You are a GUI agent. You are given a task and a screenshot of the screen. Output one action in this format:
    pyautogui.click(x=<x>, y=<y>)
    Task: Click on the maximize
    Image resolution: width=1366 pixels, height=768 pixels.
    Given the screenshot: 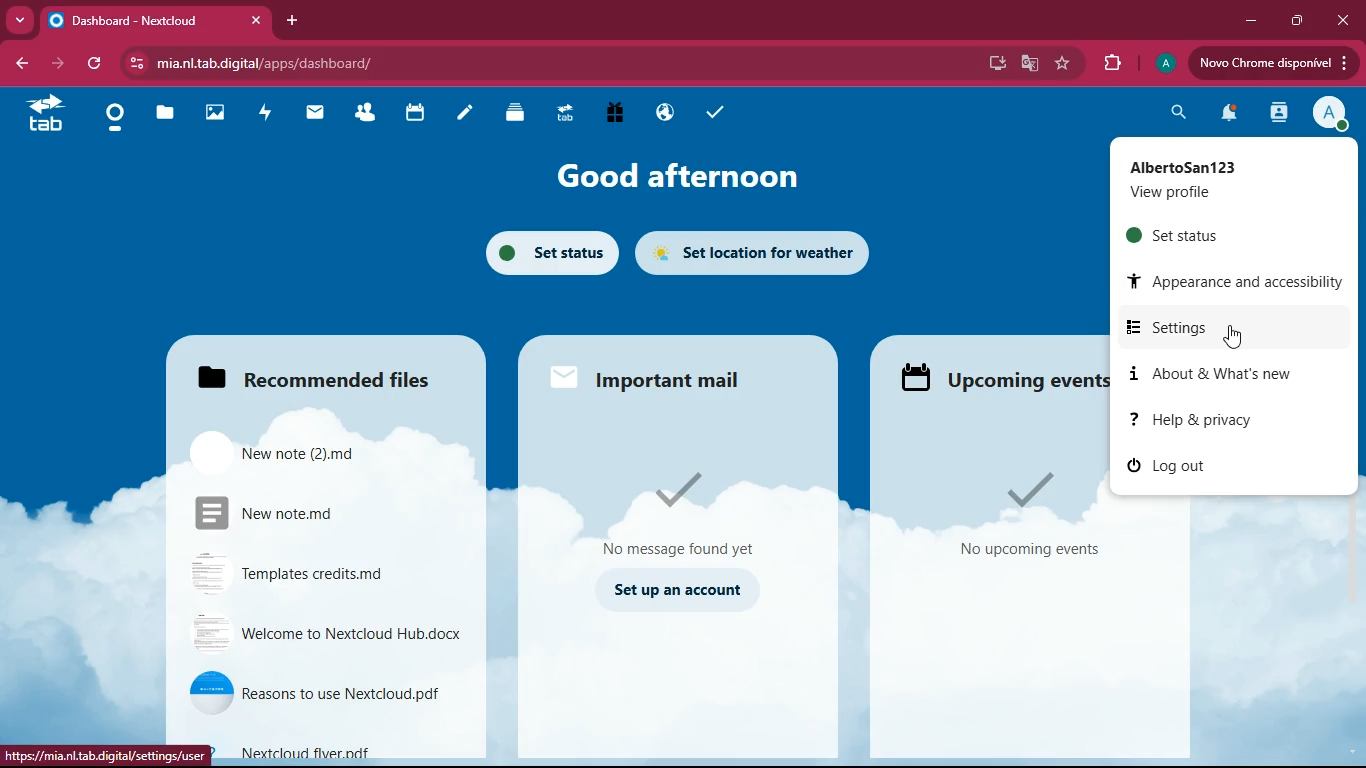 What is the action you would take?
    pyautogui.click(x=1299, y=22)
    